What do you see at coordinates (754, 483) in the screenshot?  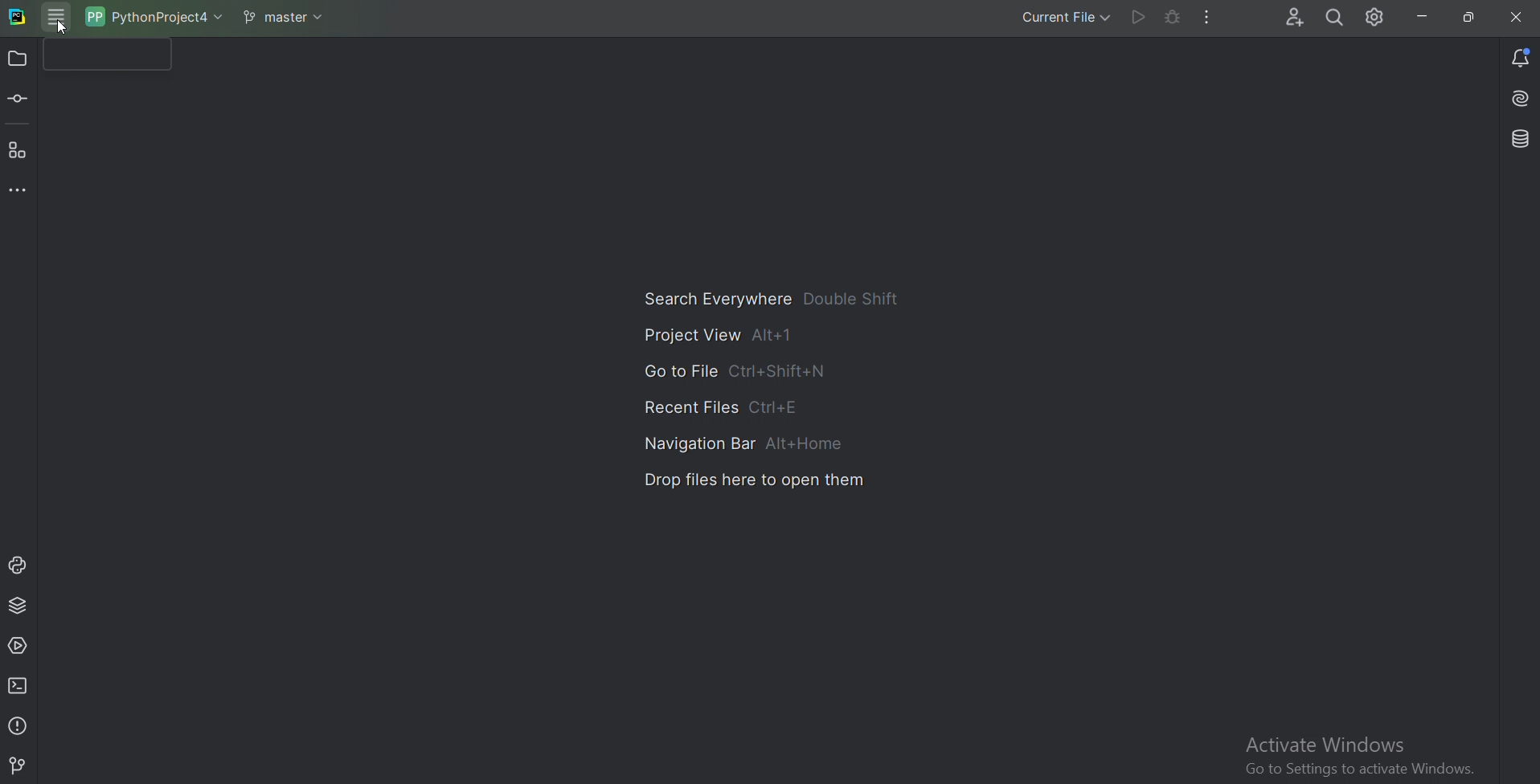 I see `Drop files here to open them` at bounding box center [754, 483].